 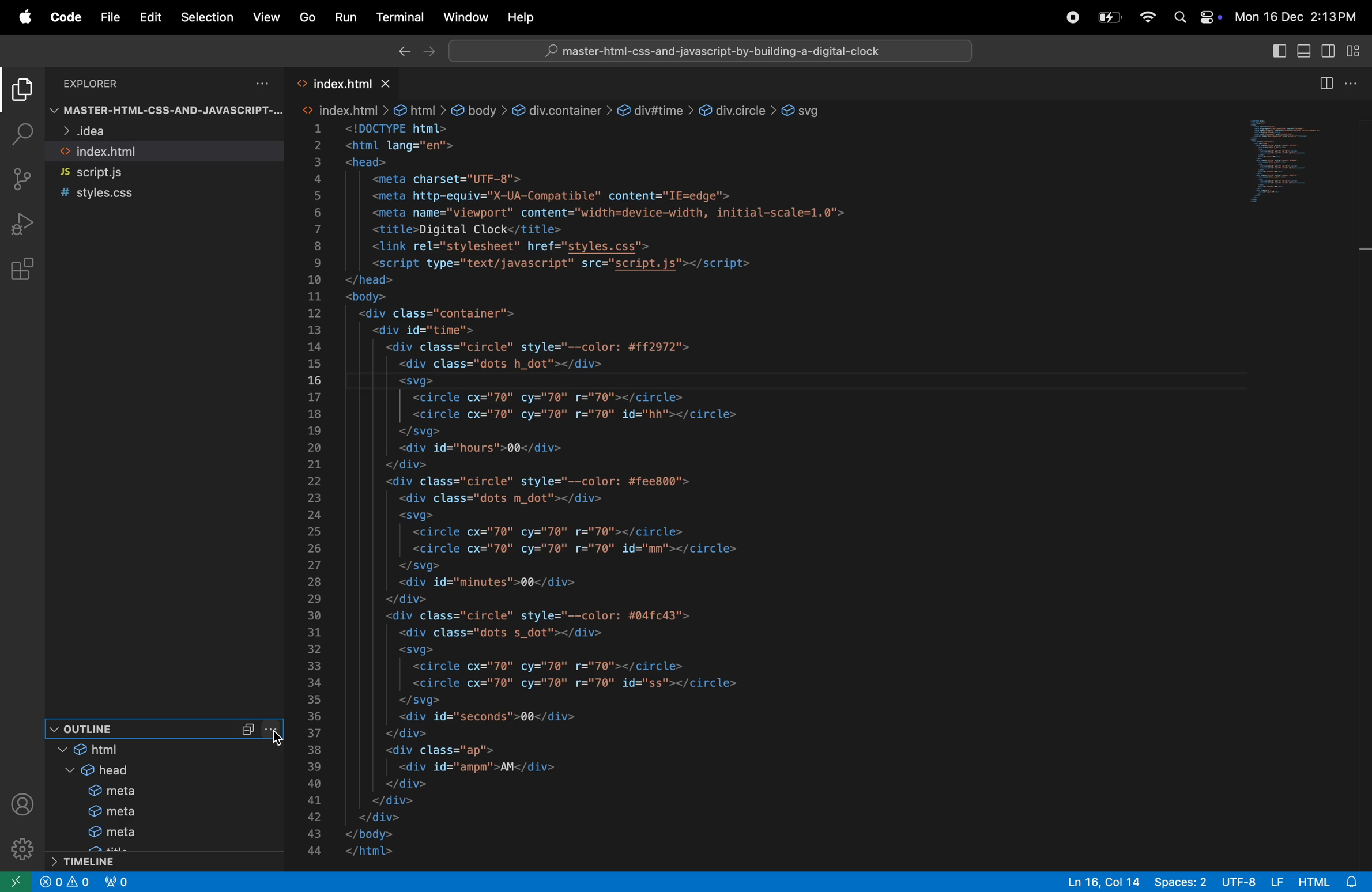 What do you see at coordinates (307, 17) in the screenshot?
I see `Go` at bounding box center [307, 17].